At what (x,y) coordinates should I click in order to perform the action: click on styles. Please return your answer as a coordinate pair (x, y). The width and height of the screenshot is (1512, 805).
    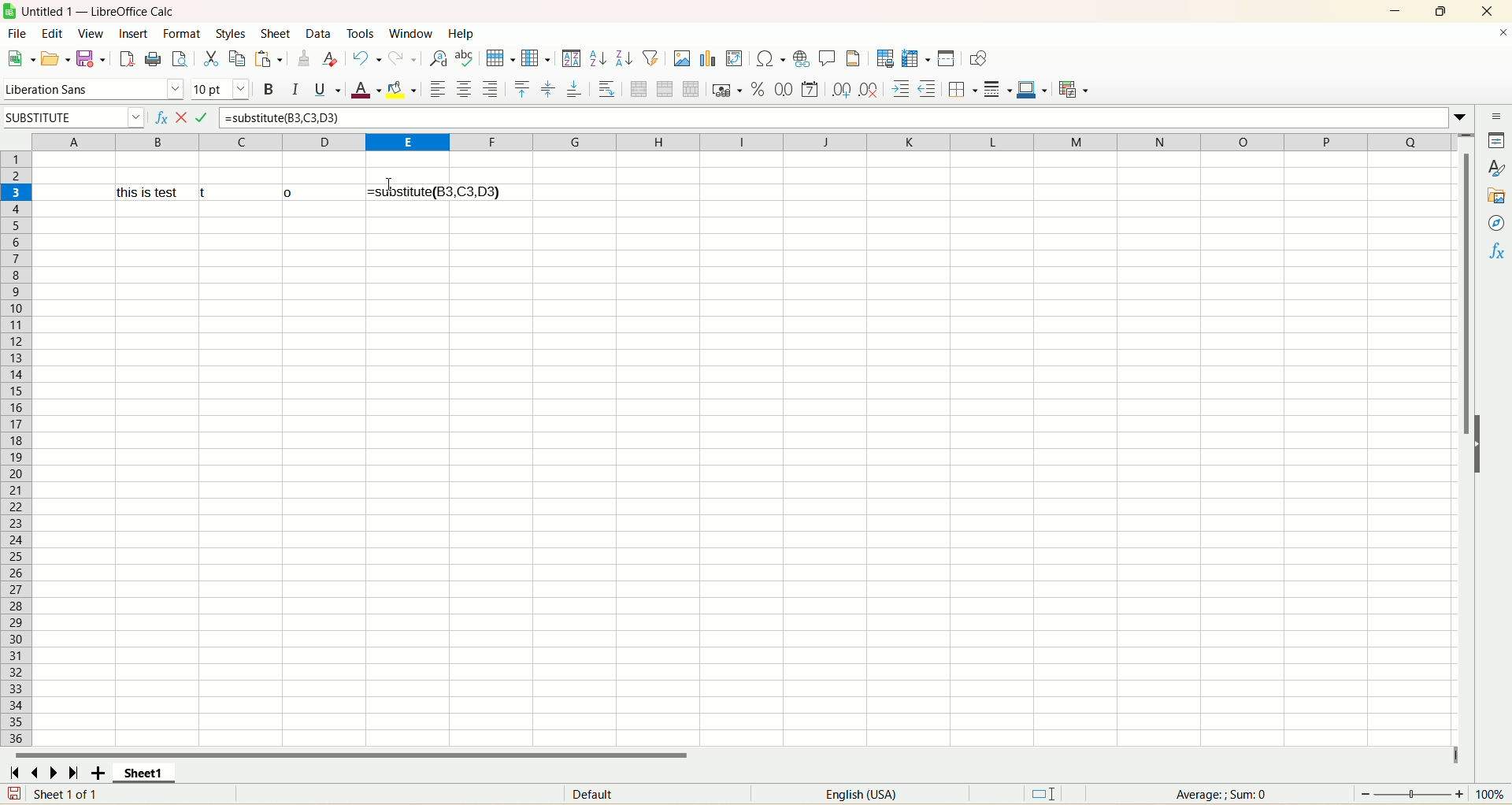
    Looking at the image, I should click on (229, 32).